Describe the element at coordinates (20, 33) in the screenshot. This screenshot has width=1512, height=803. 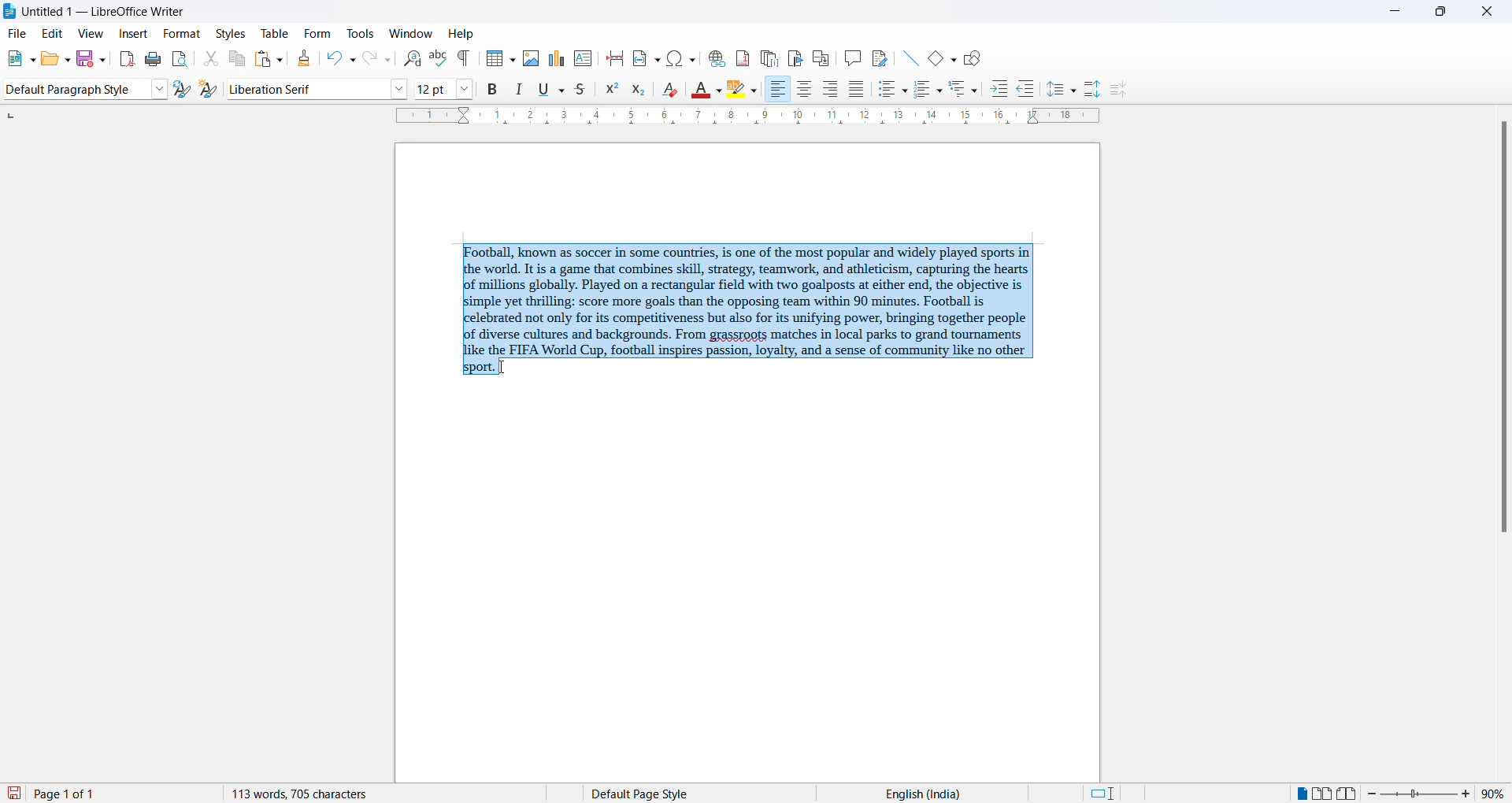
I see `file` at that location.